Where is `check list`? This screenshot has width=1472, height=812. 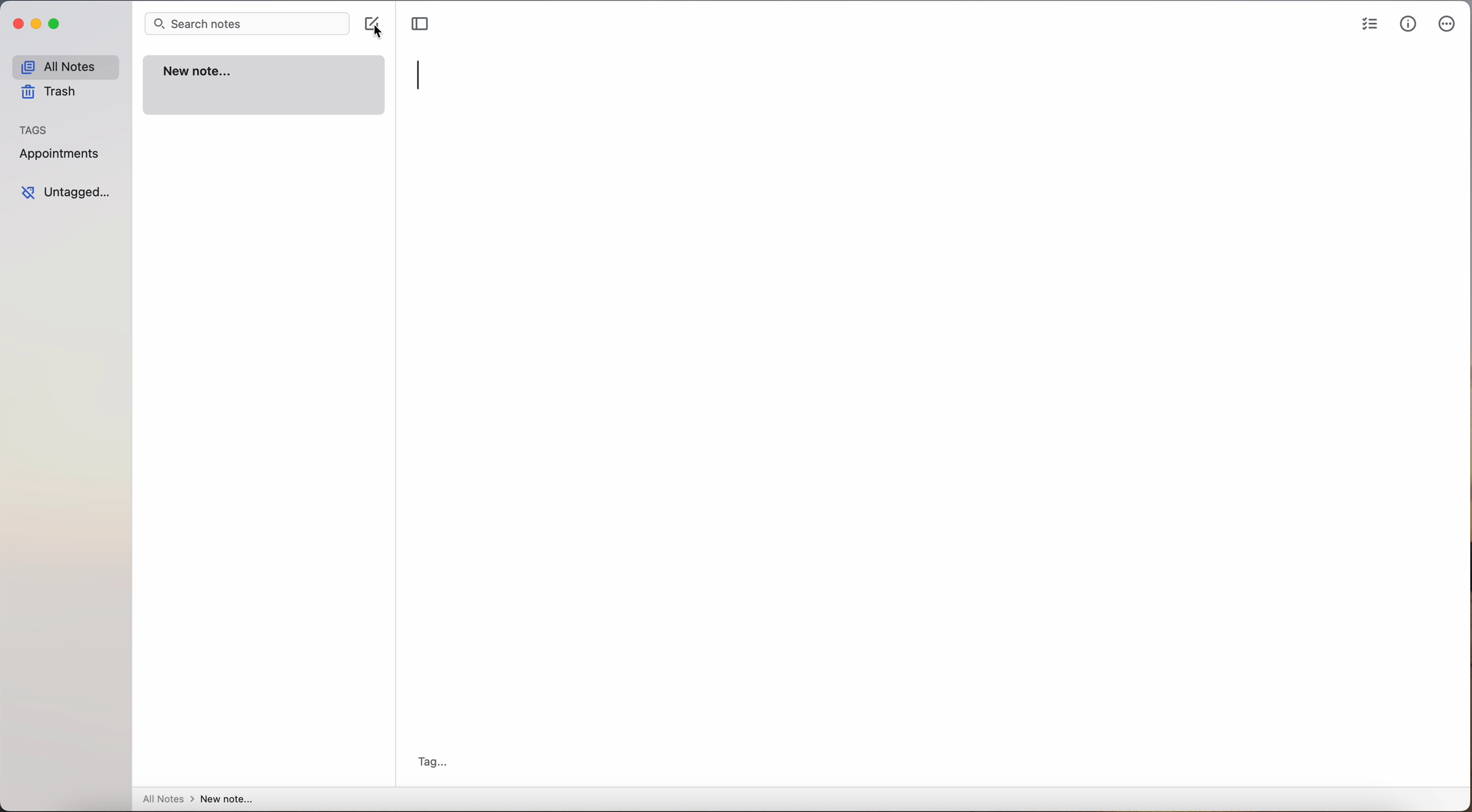
check list is located at coordinates (1371, 26).